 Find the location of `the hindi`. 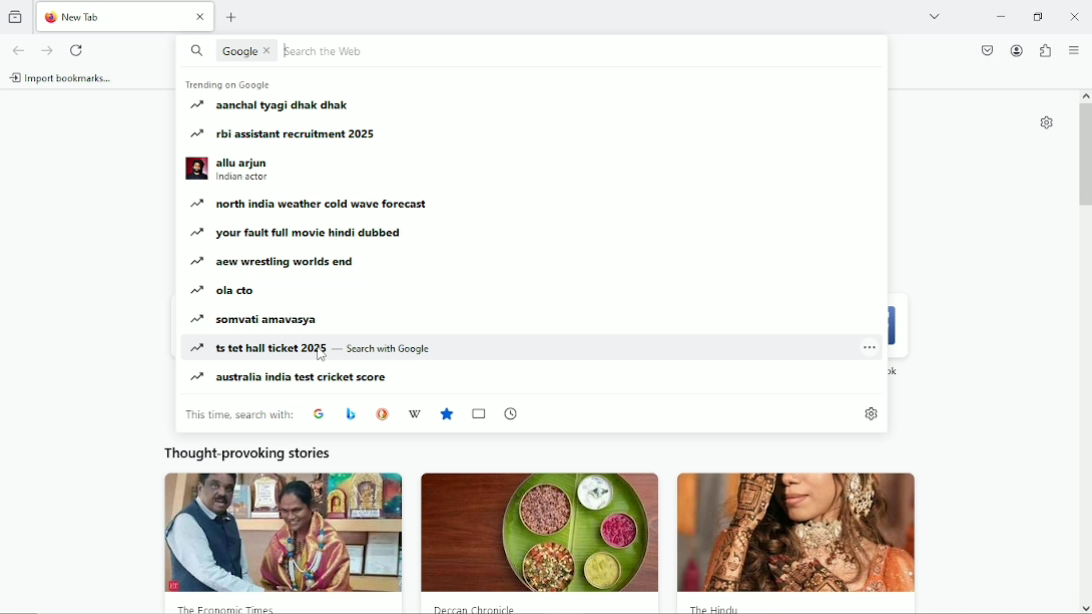

the hindi is located at coordinates (716, 610).